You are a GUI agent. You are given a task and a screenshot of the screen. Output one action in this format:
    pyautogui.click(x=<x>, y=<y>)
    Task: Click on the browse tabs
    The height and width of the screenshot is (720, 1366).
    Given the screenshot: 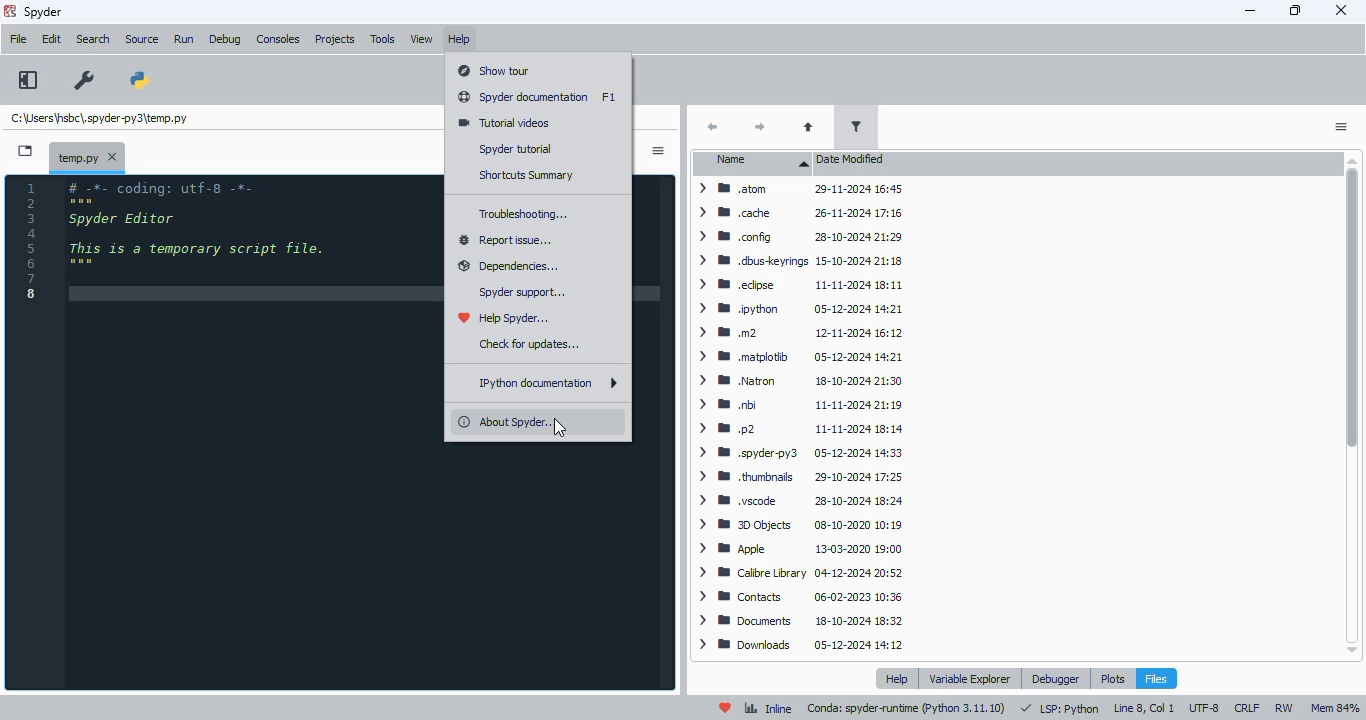 What is the action you would take?
    pyautogui.click(x=26, y=151)
    